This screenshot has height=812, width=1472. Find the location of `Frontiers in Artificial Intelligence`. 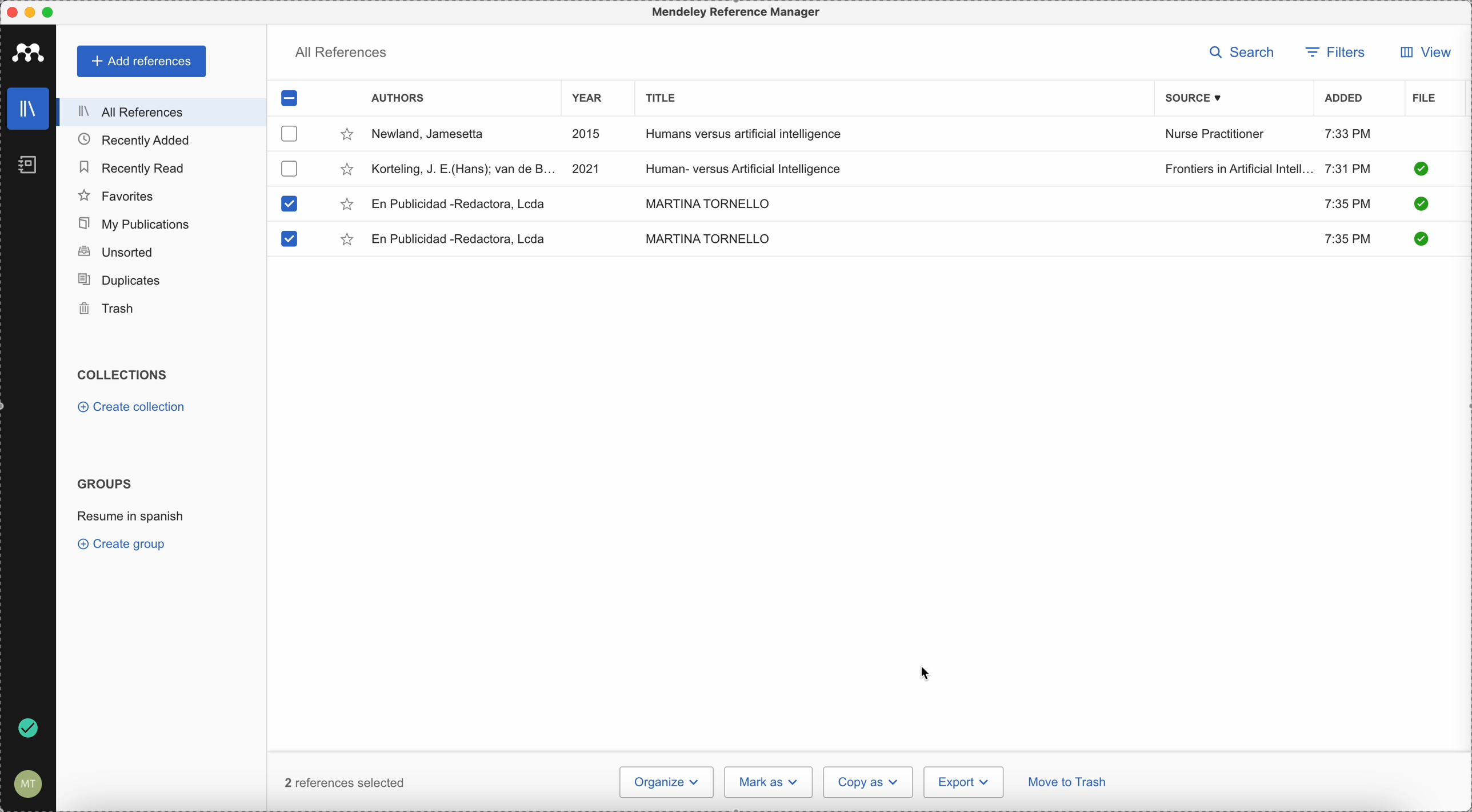

Frontiers in Artificial Intelligence is located at coordinates (1238, 169).